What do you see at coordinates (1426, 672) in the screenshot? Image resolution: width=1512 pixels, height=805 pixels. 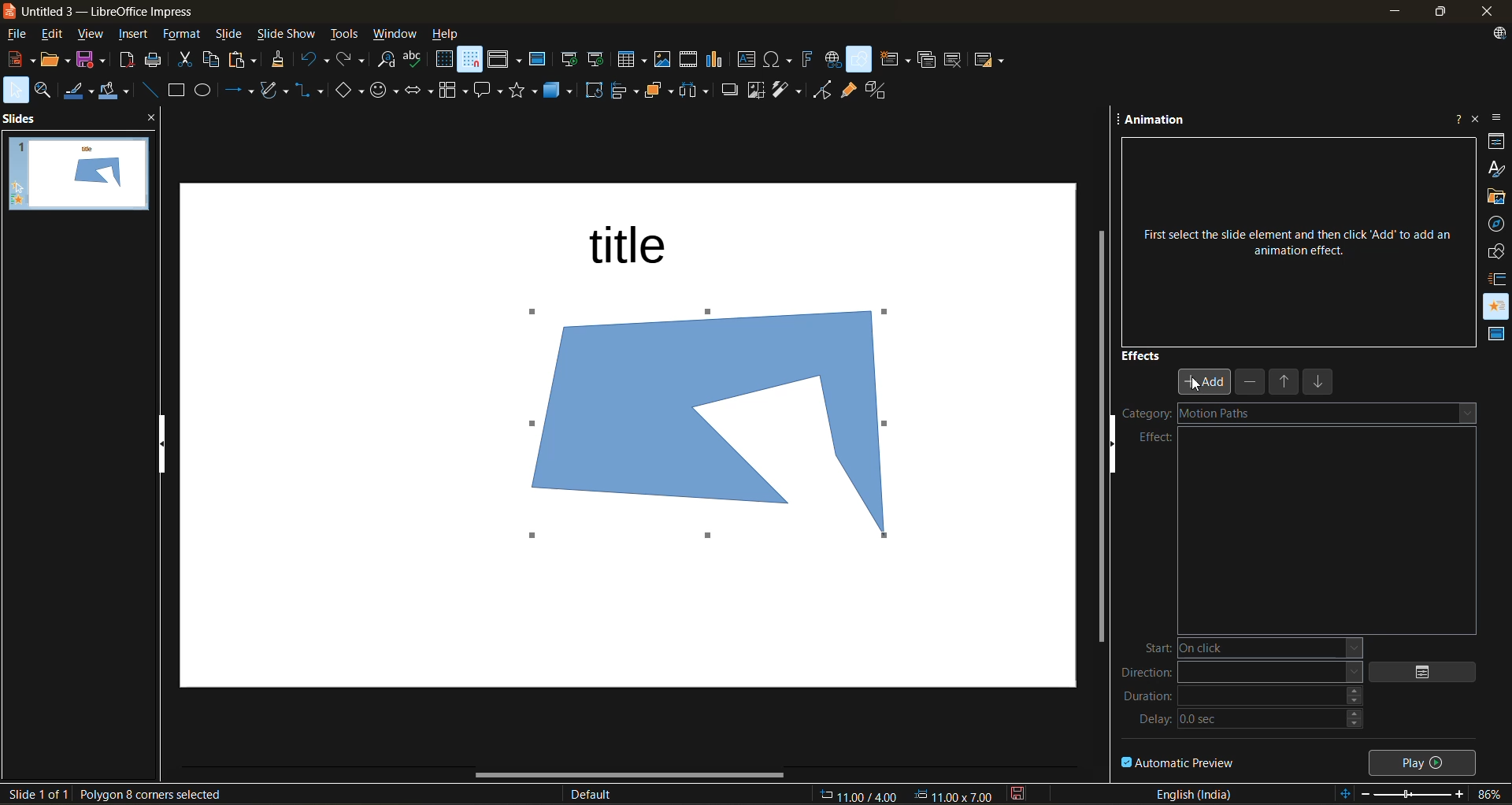 I see `options` at bounding box center [1426, 672].